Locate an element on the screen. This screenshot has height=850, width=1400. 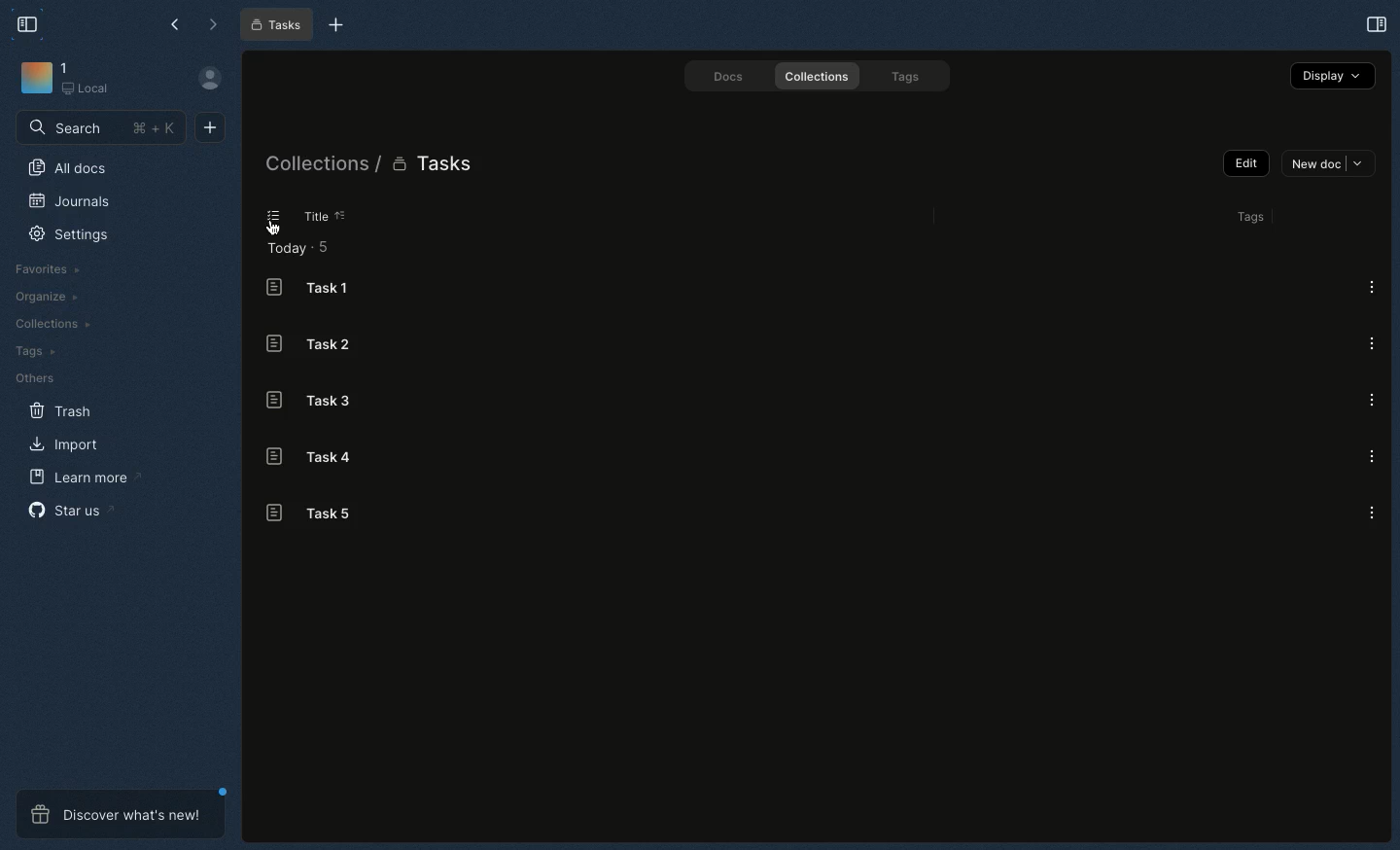
Collections is located at coordinates (55, 325).